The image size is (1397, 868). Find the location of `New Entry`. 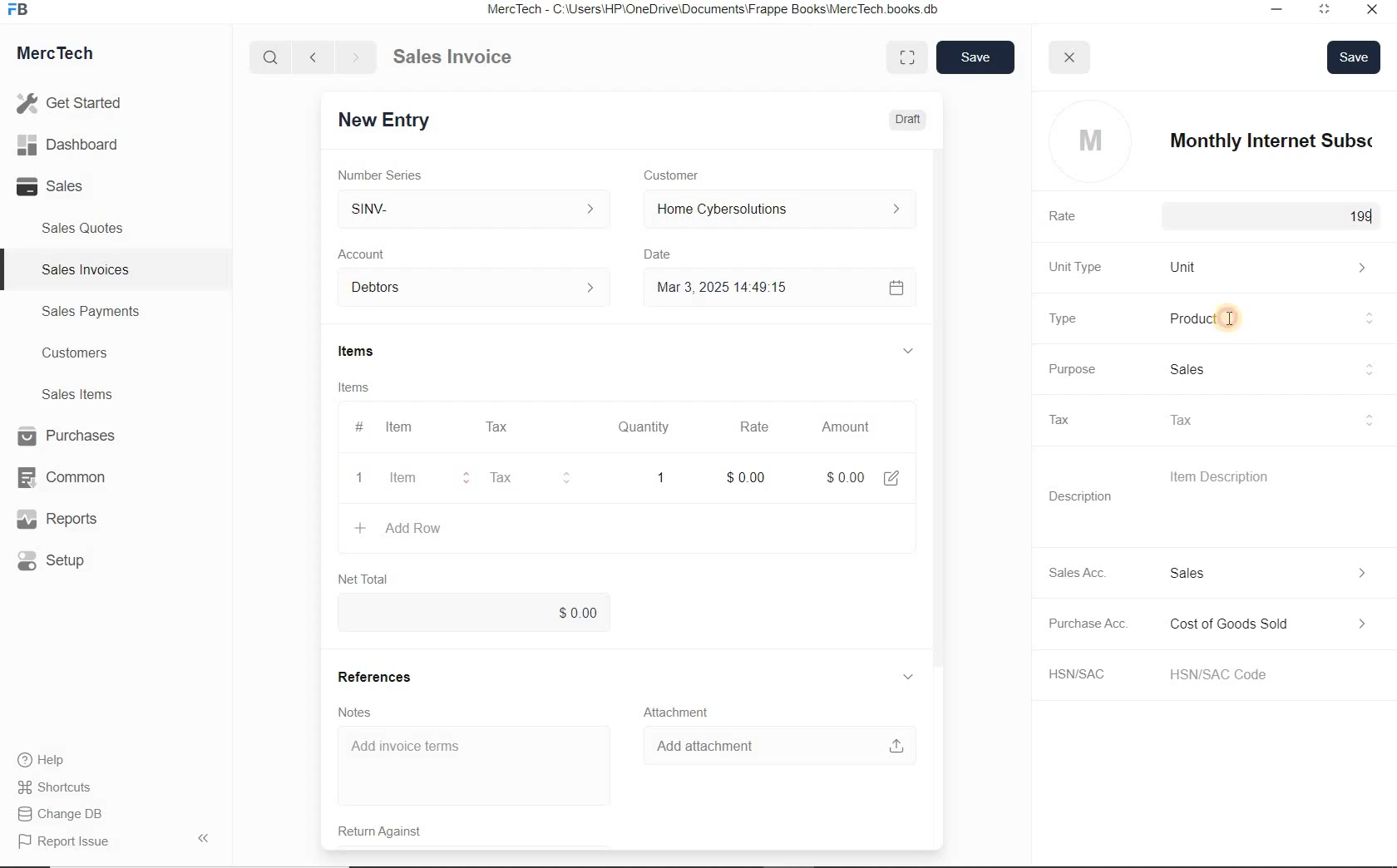

New Entry is located at coordinates (389, 119).